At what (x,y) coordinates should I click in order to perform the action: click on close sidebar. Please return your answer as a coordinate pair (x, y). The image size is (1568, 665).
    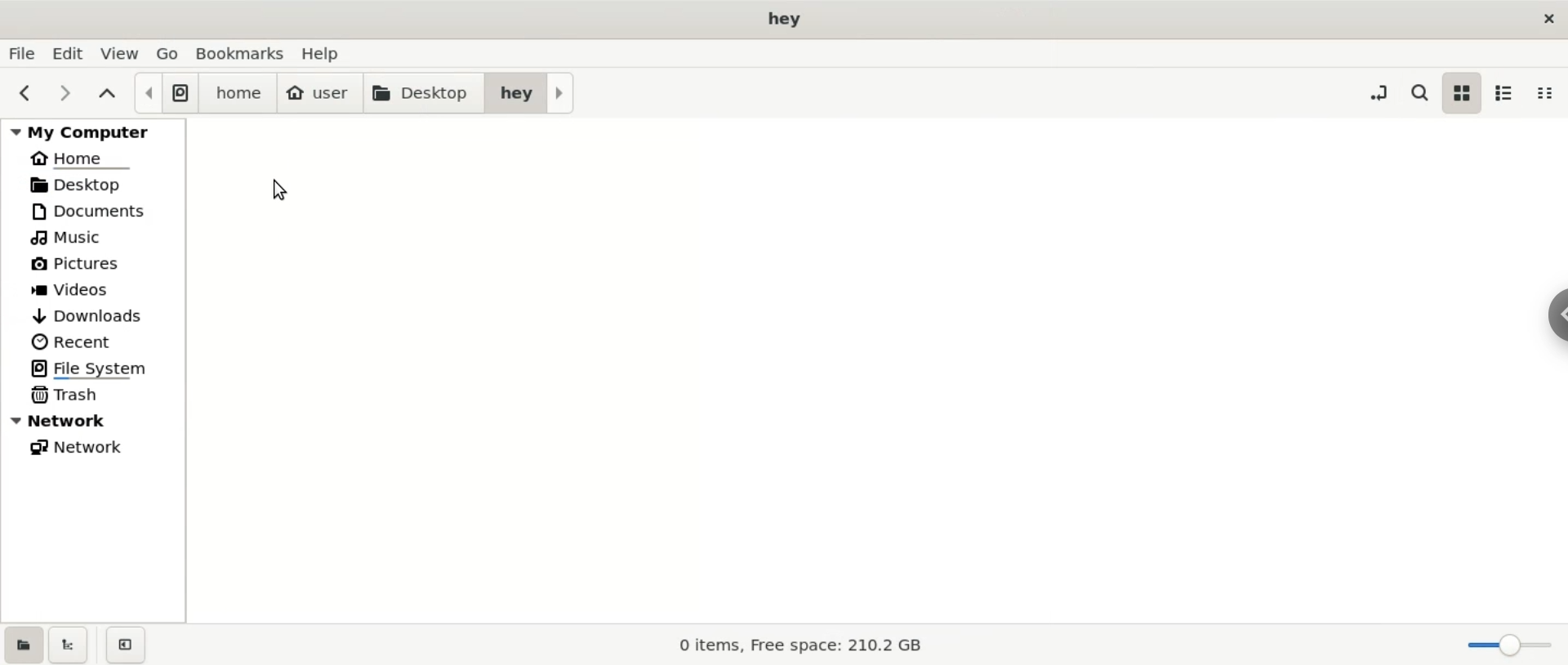
    Looking at the image, I should click on (126, 645).